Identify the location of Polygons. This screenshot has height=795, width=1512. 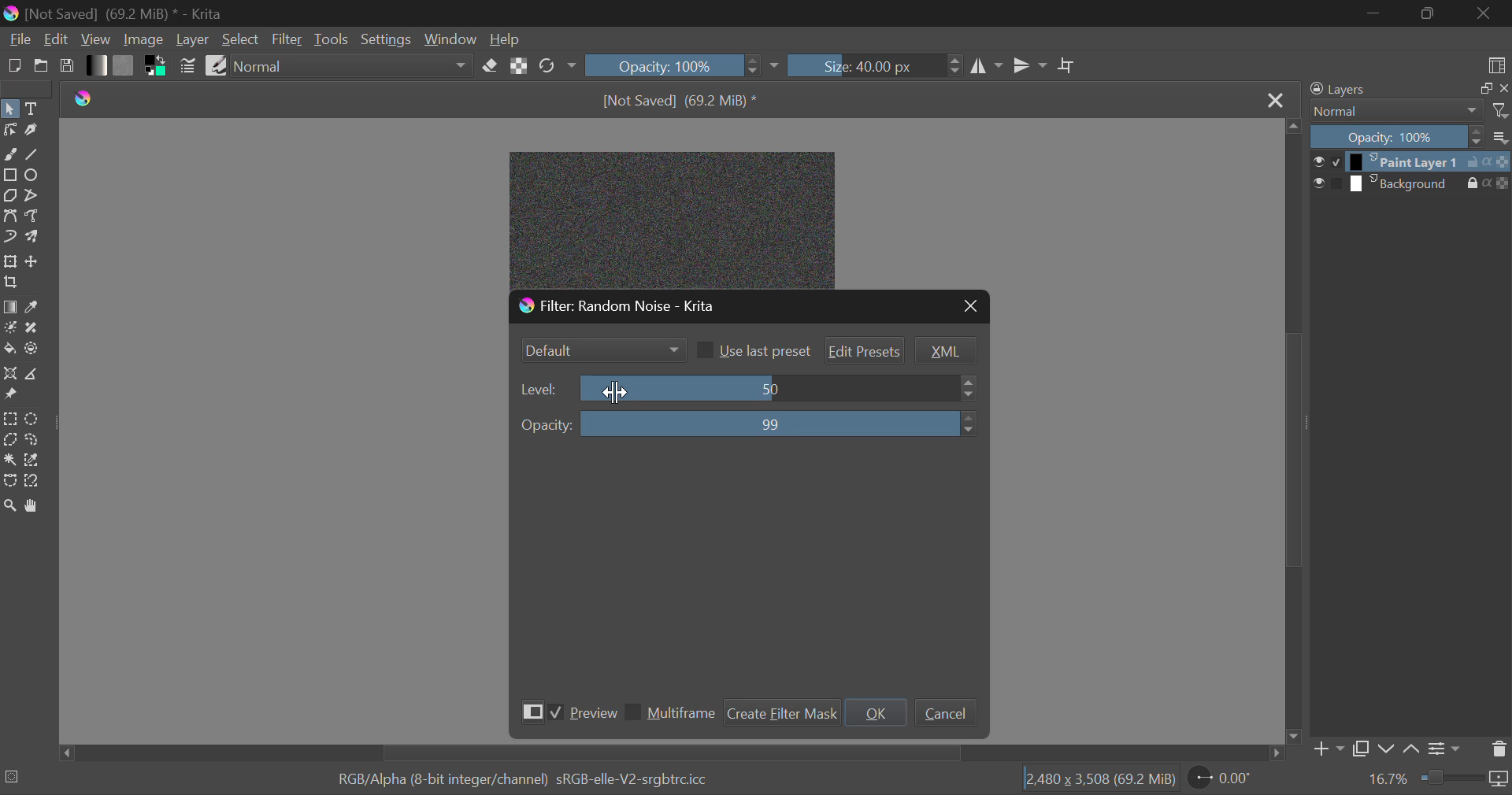
(10, 197).